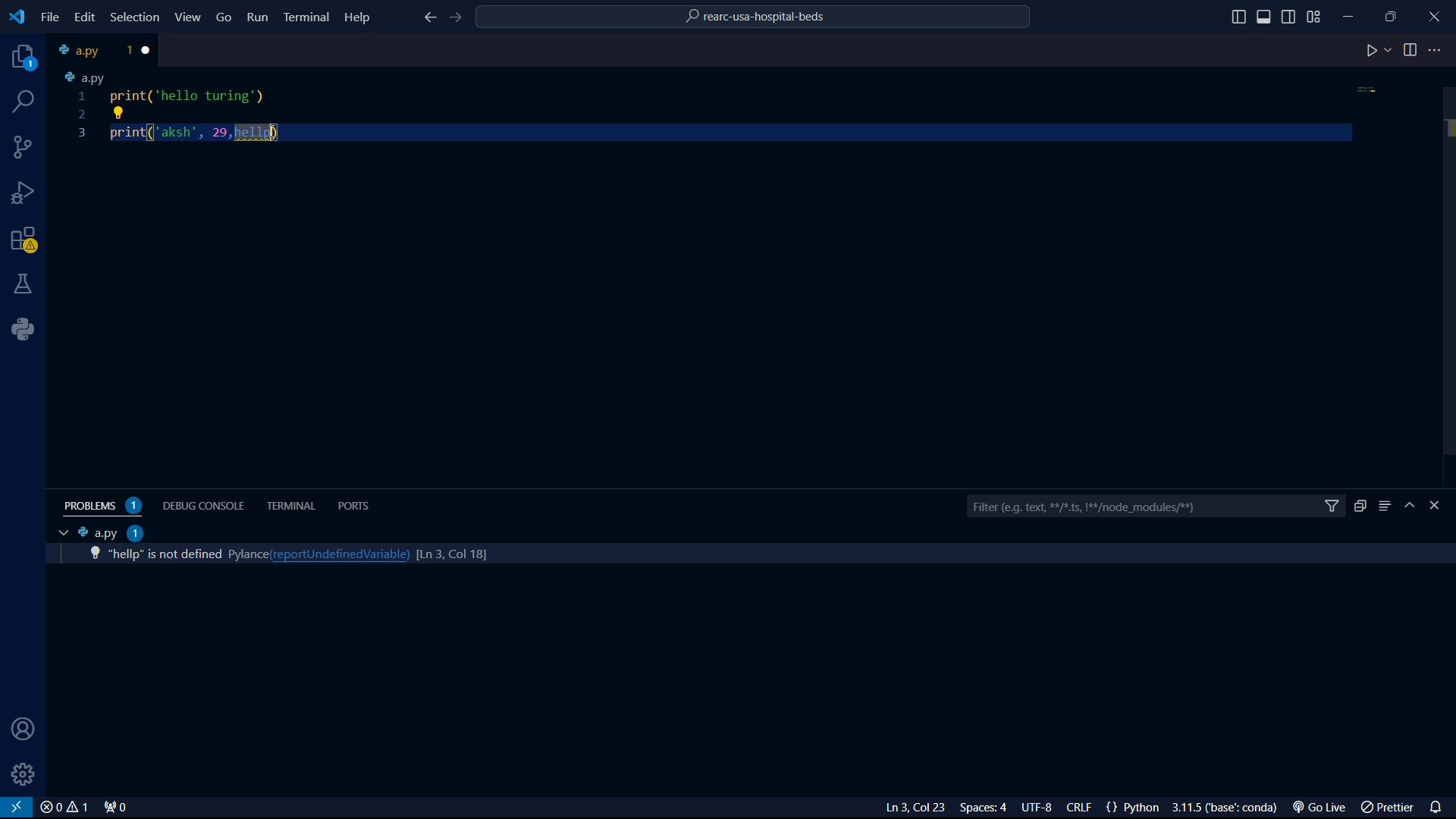  What do you see at coordinates (206, 504) in the screenshot?
I see `debug console` at bounding box center [206, 504].